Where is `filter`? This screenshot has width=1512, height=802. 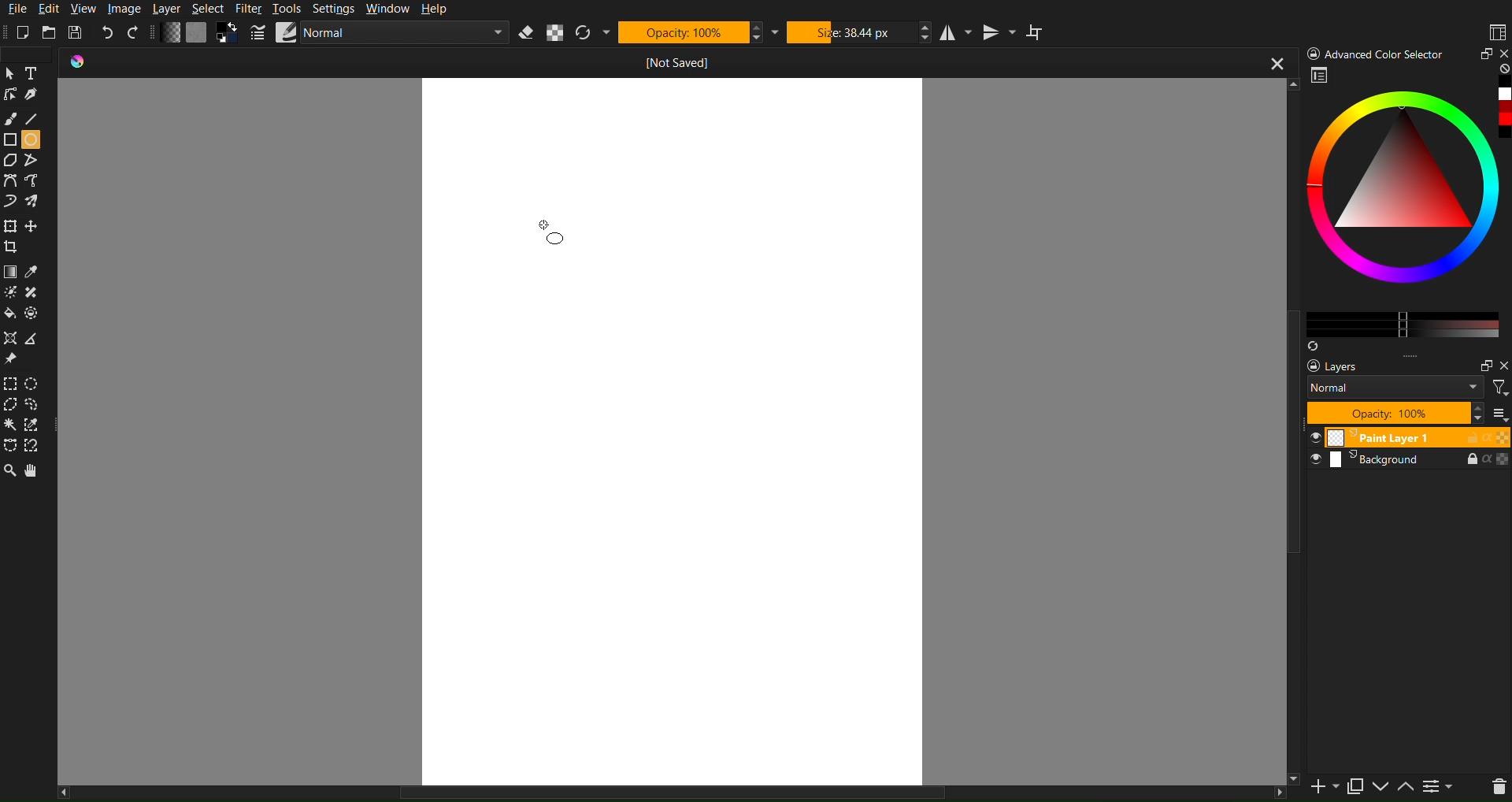
filter is located at coordinates (1501, 386).